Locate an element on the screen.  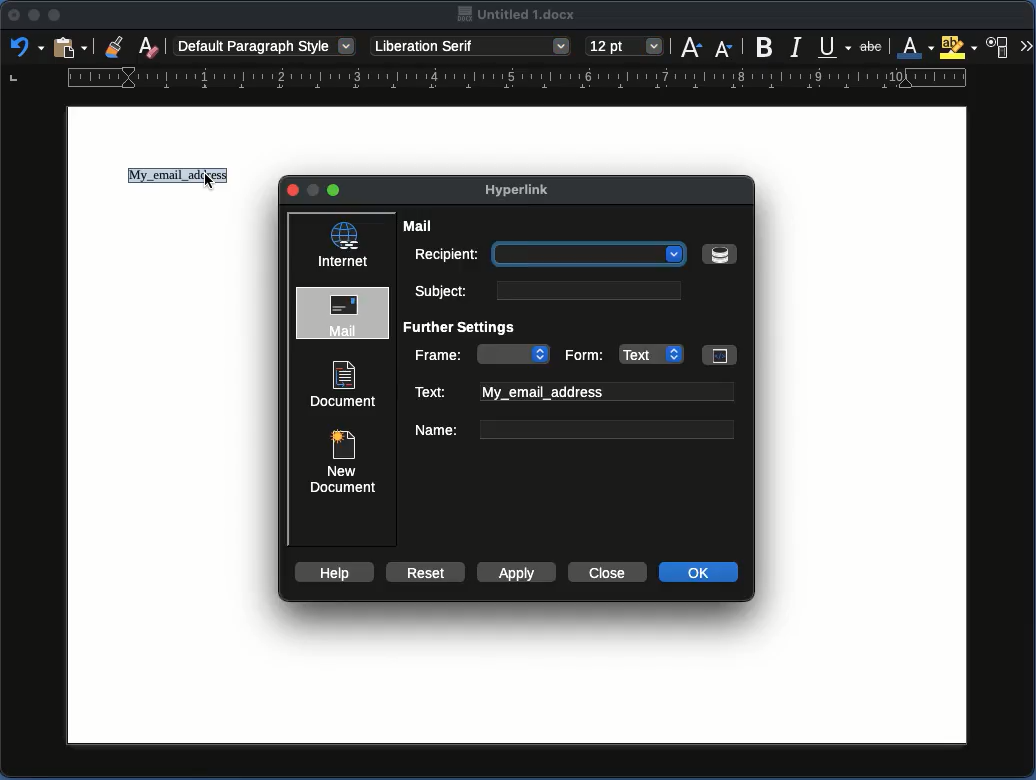
New document is located at coordinates (341, 459).